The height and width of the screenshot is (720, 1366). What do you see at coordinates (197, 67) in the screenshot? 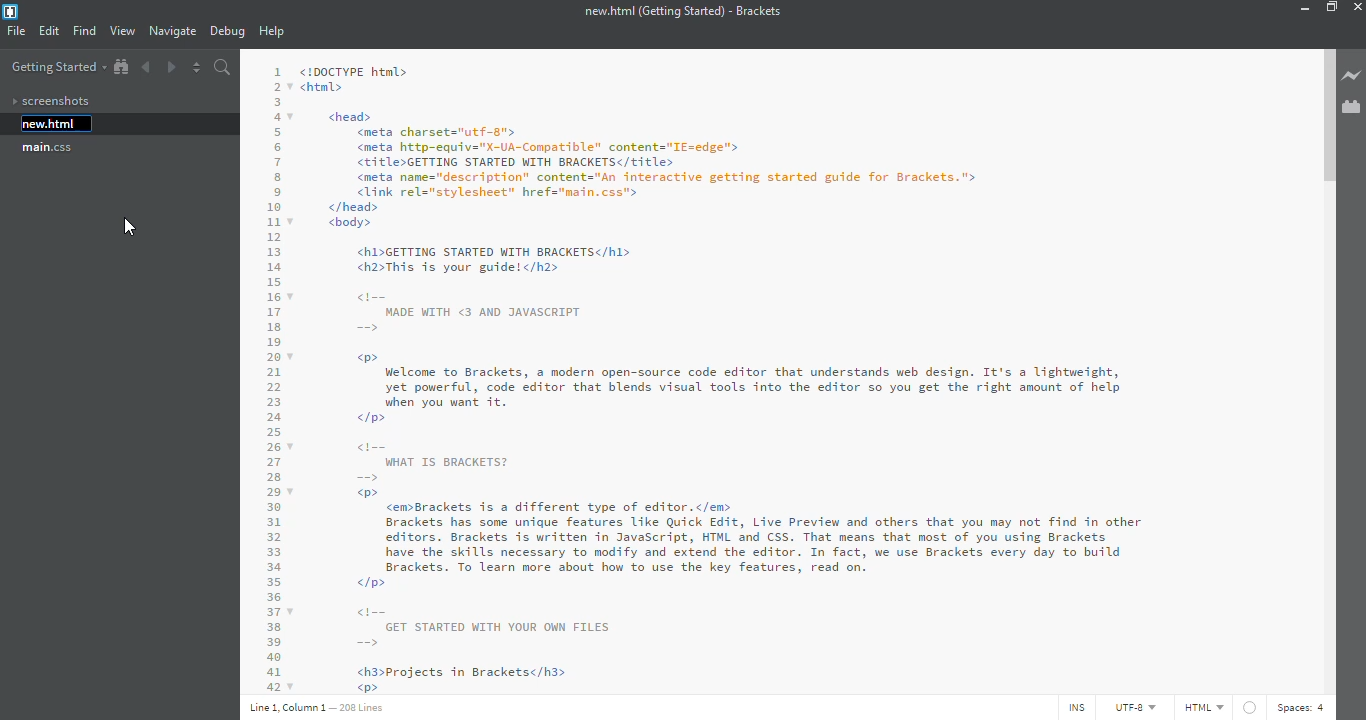
I see `split editor` at bounding box center [197, 67].